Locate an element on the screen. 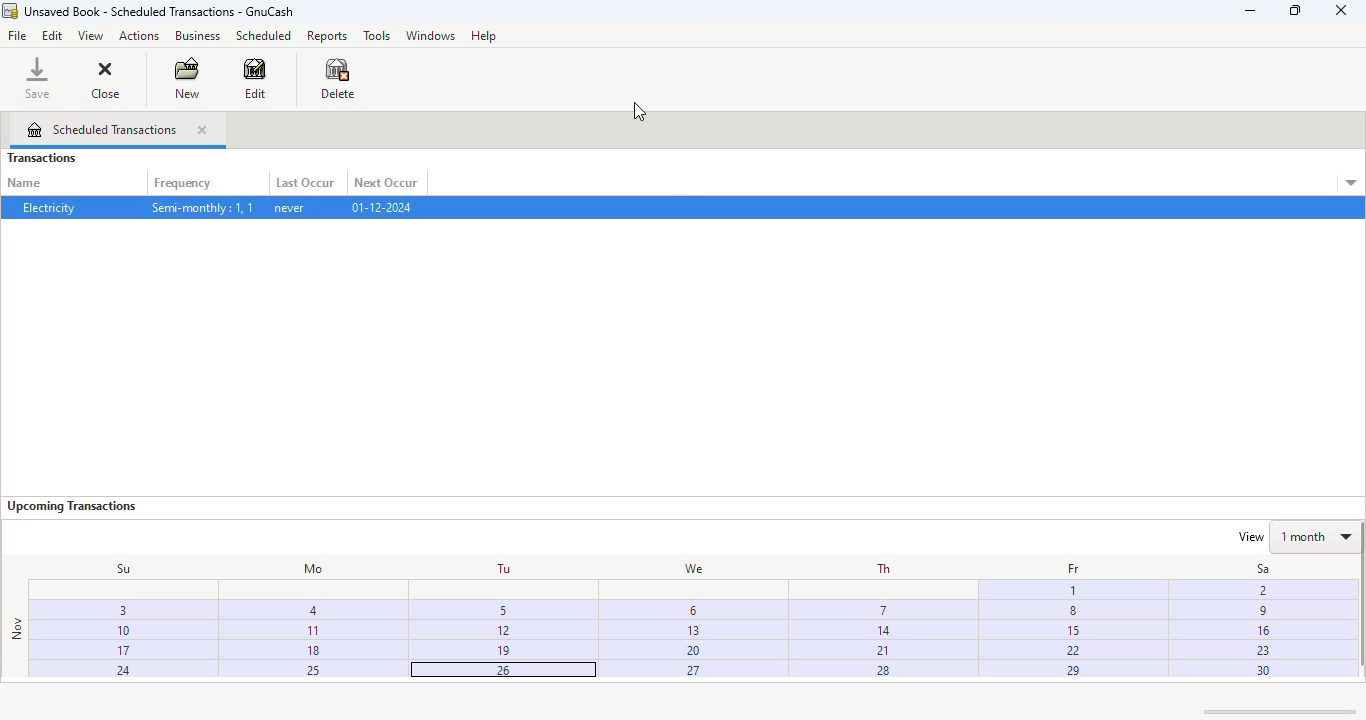 The width and height of the screenshot is (1366, 720). 4 is located at coordinates (312, 609).